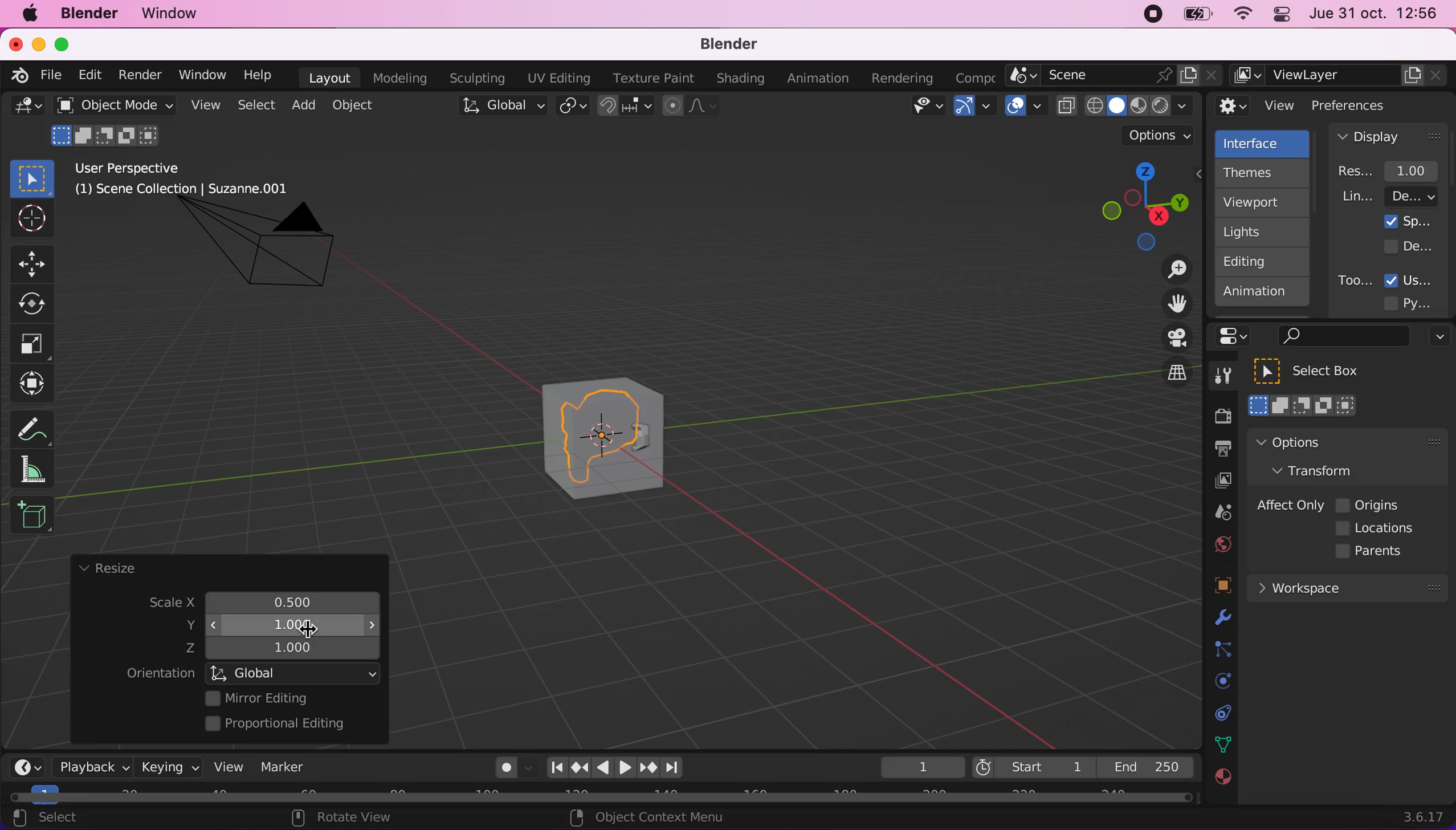  I want to click on render, so click(139, 76).